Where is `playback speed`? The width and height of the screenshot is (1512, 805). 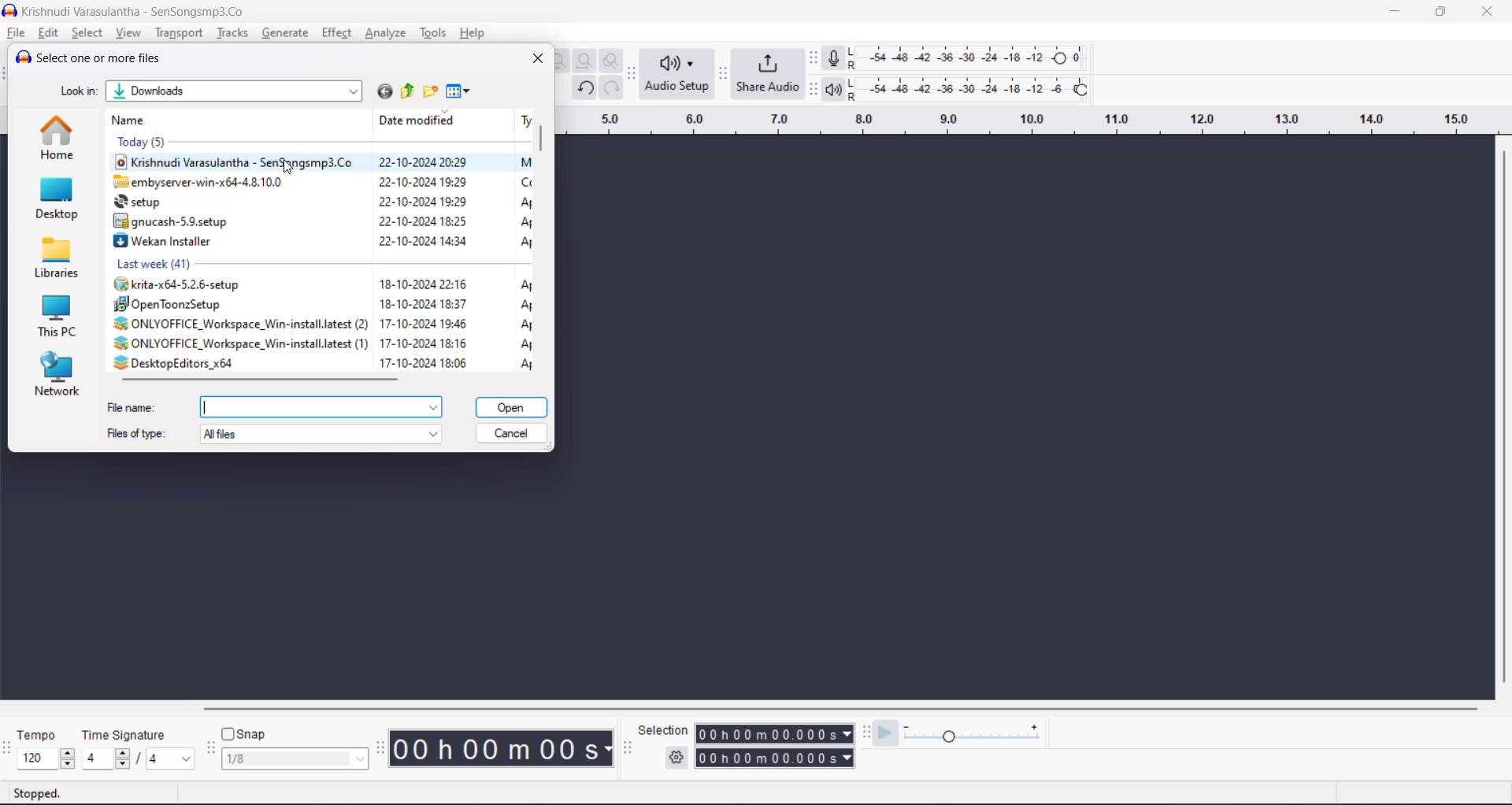
playback speed is located at coordinates (973, 731).